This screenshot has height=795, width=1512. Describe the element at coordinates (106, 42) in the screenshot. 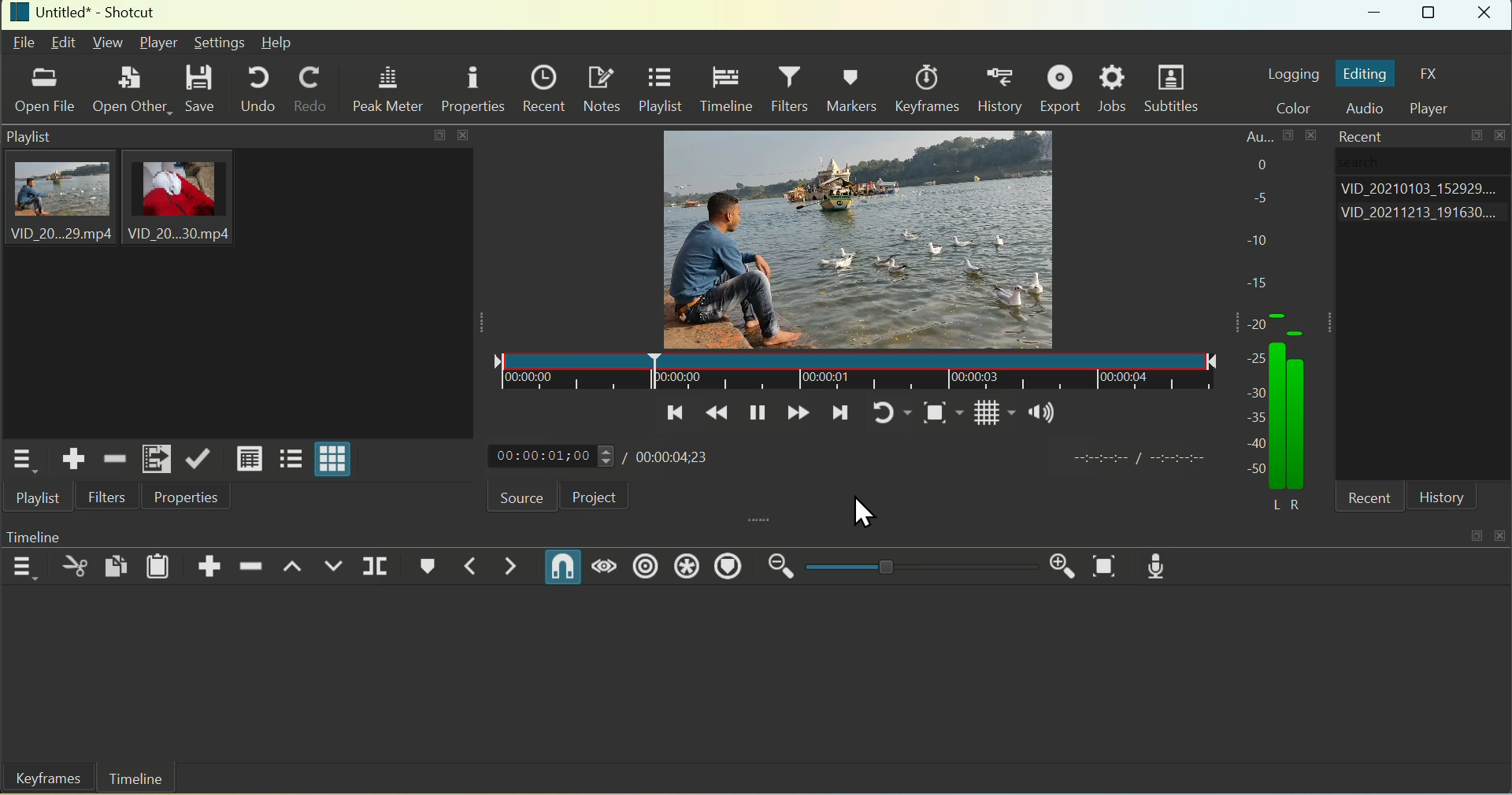

I see `View` at that location.